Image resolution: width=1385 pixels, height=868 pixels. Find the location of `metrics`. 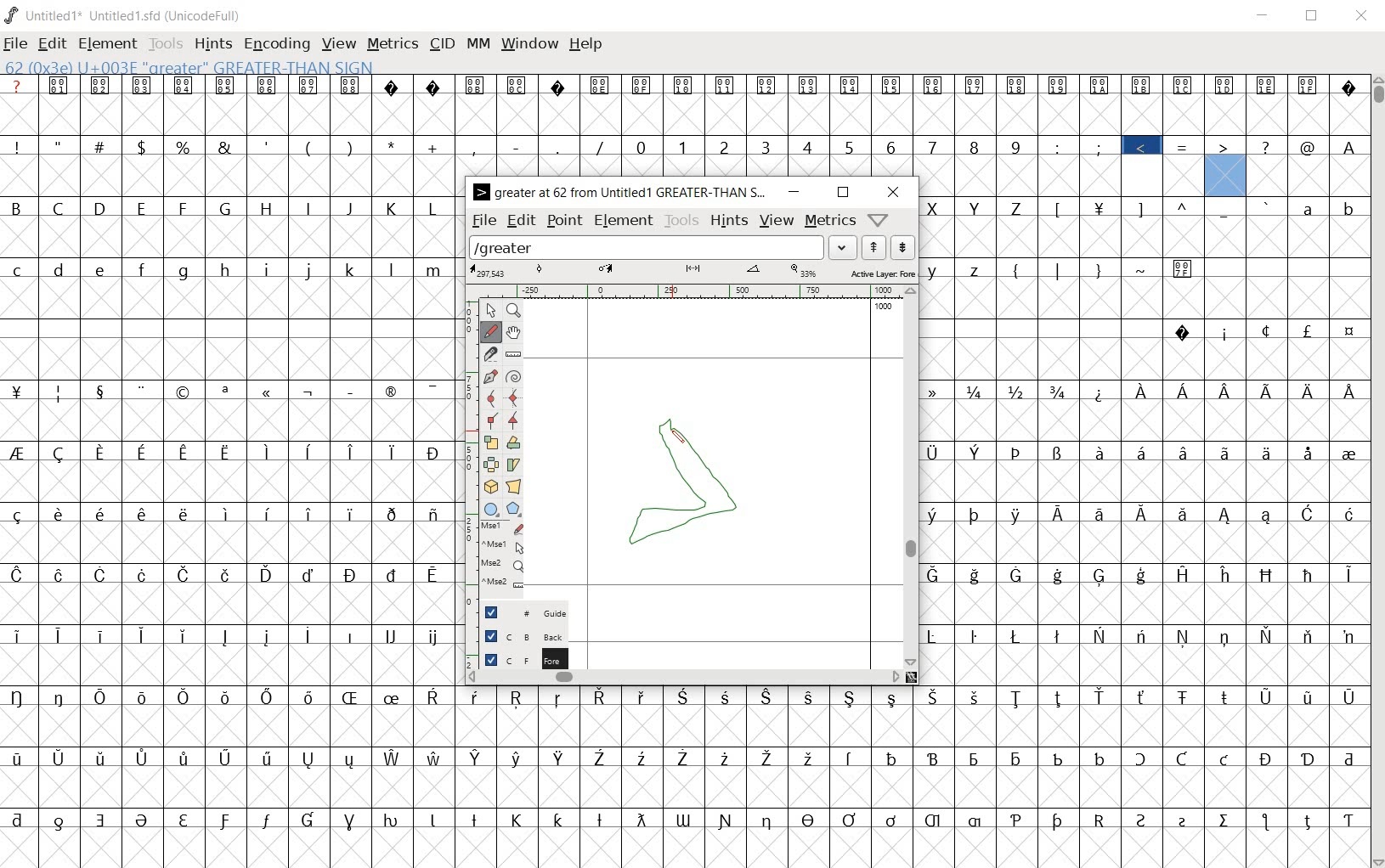

metrics is located at coordinates (830, 221).